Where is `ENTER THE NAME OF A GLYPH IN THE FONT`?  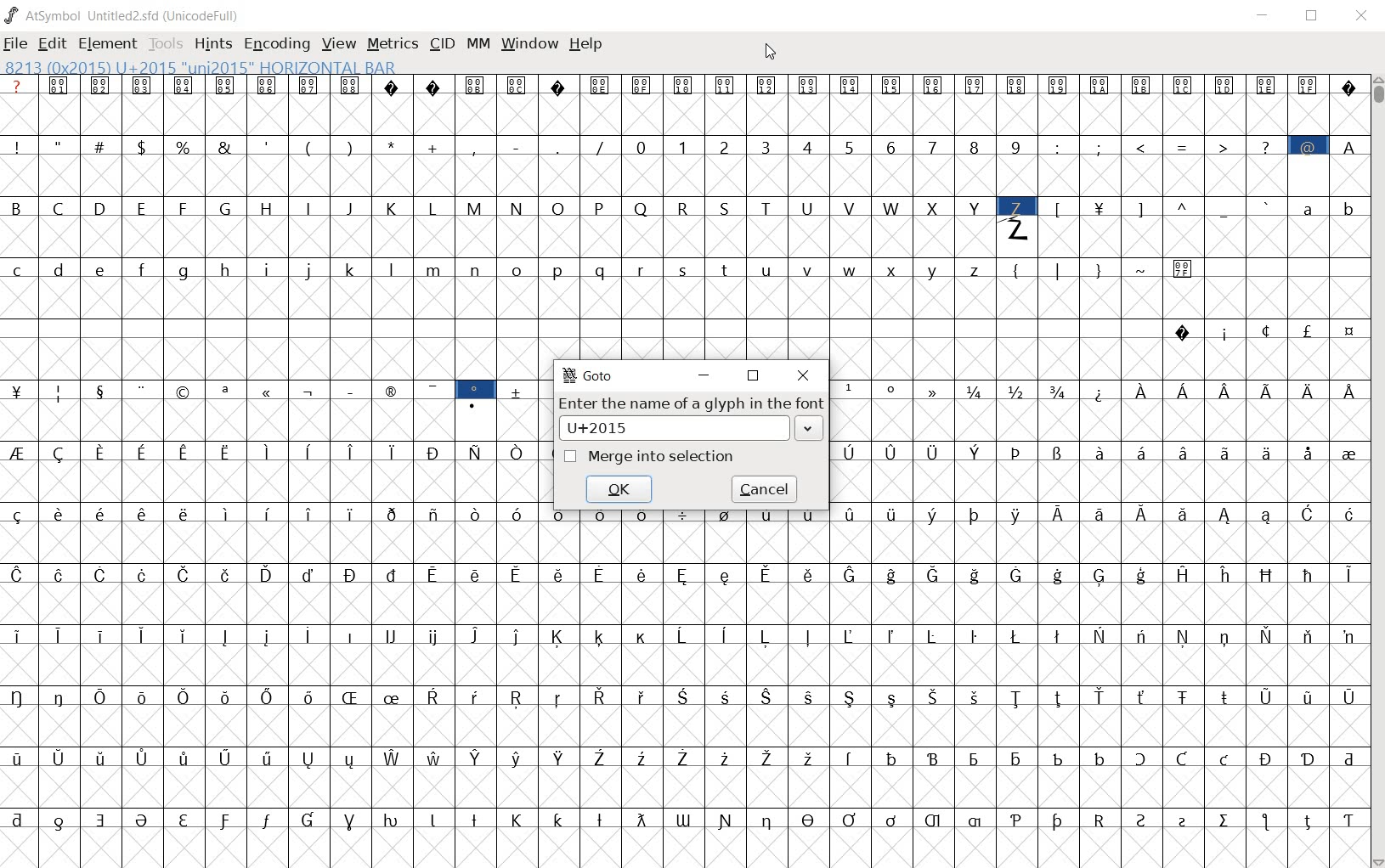 ENTER THE NAME OF A GLYPH IN THE FONT is located at coordinates (692, 418).